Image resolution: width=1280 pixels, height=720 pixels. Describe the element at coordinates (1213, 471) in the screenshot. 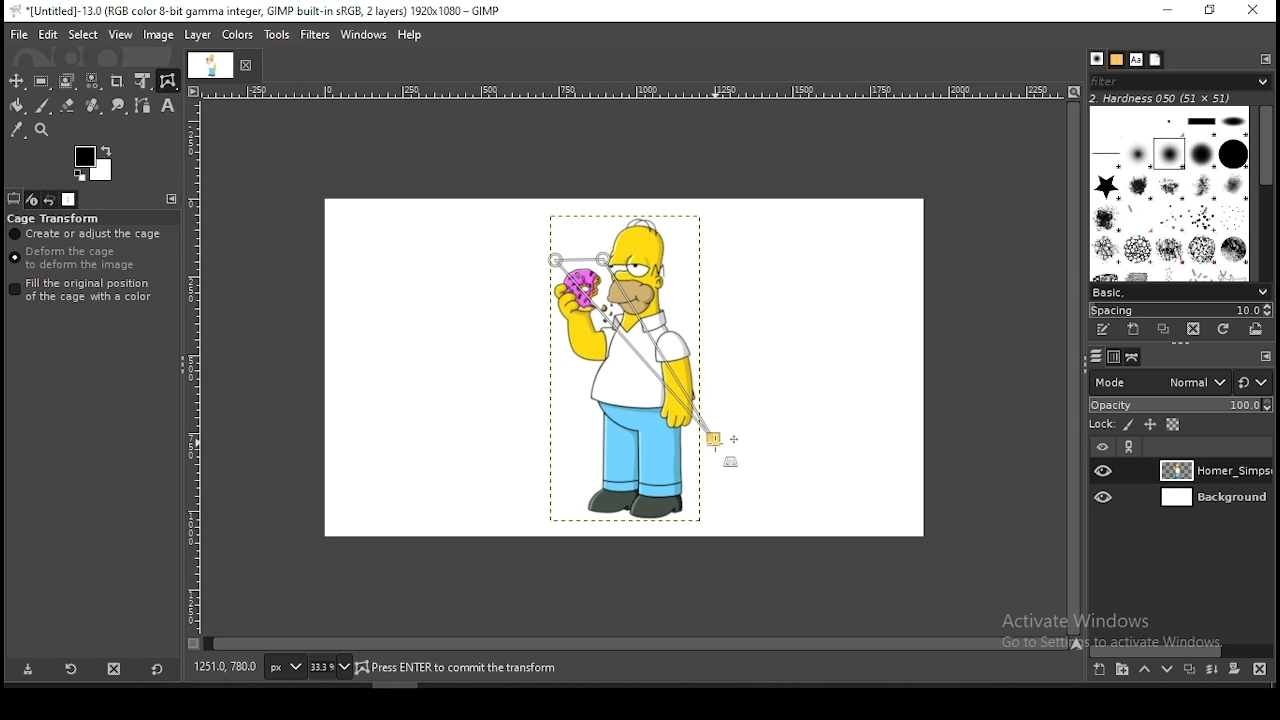

I see `layer` at that location.